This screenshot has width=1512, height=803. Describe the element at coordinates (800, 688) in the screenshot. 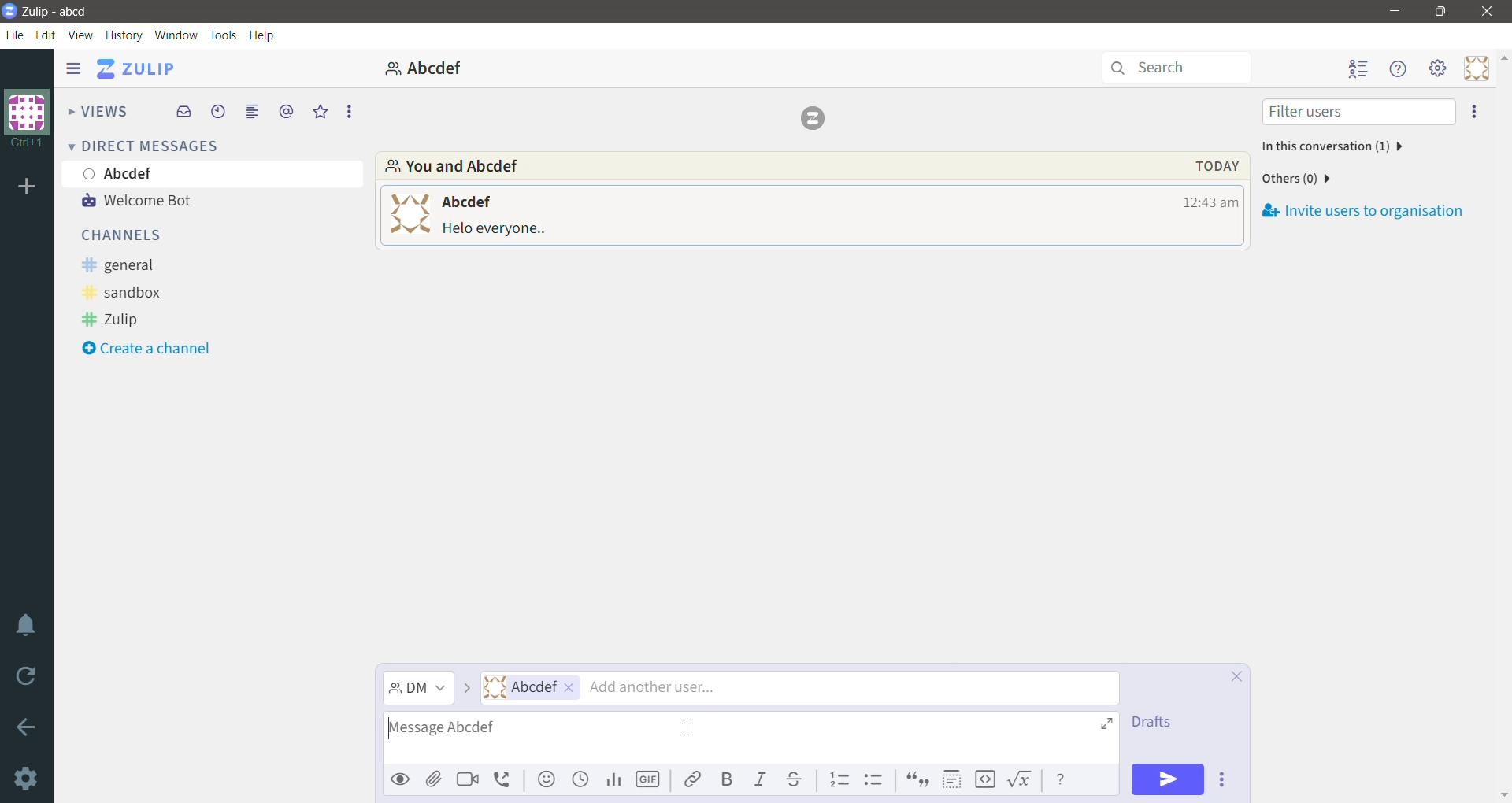

I see `Users` at that location.